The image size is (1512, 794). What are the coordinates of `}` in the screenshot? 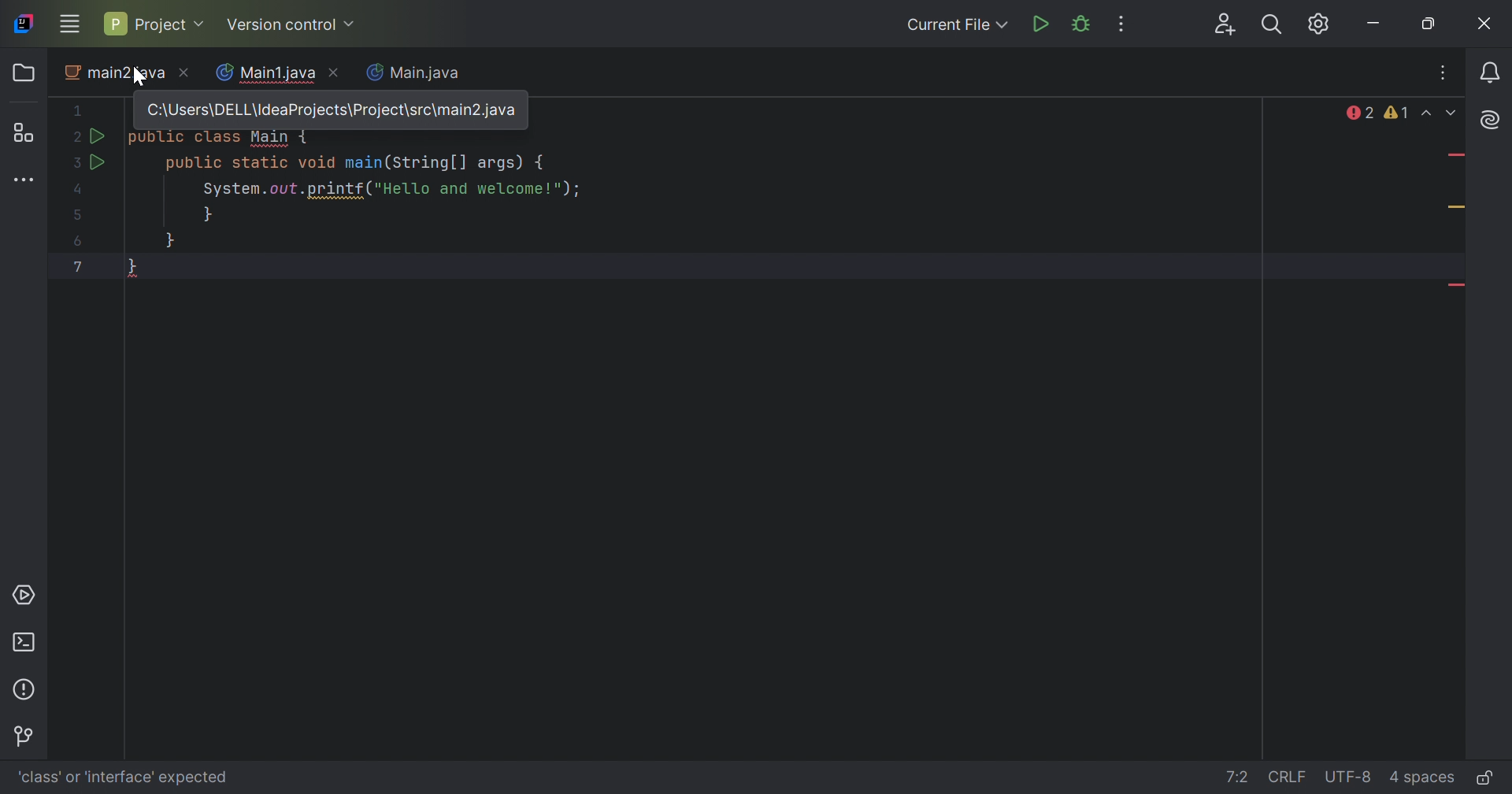 It's located at (171, 242).